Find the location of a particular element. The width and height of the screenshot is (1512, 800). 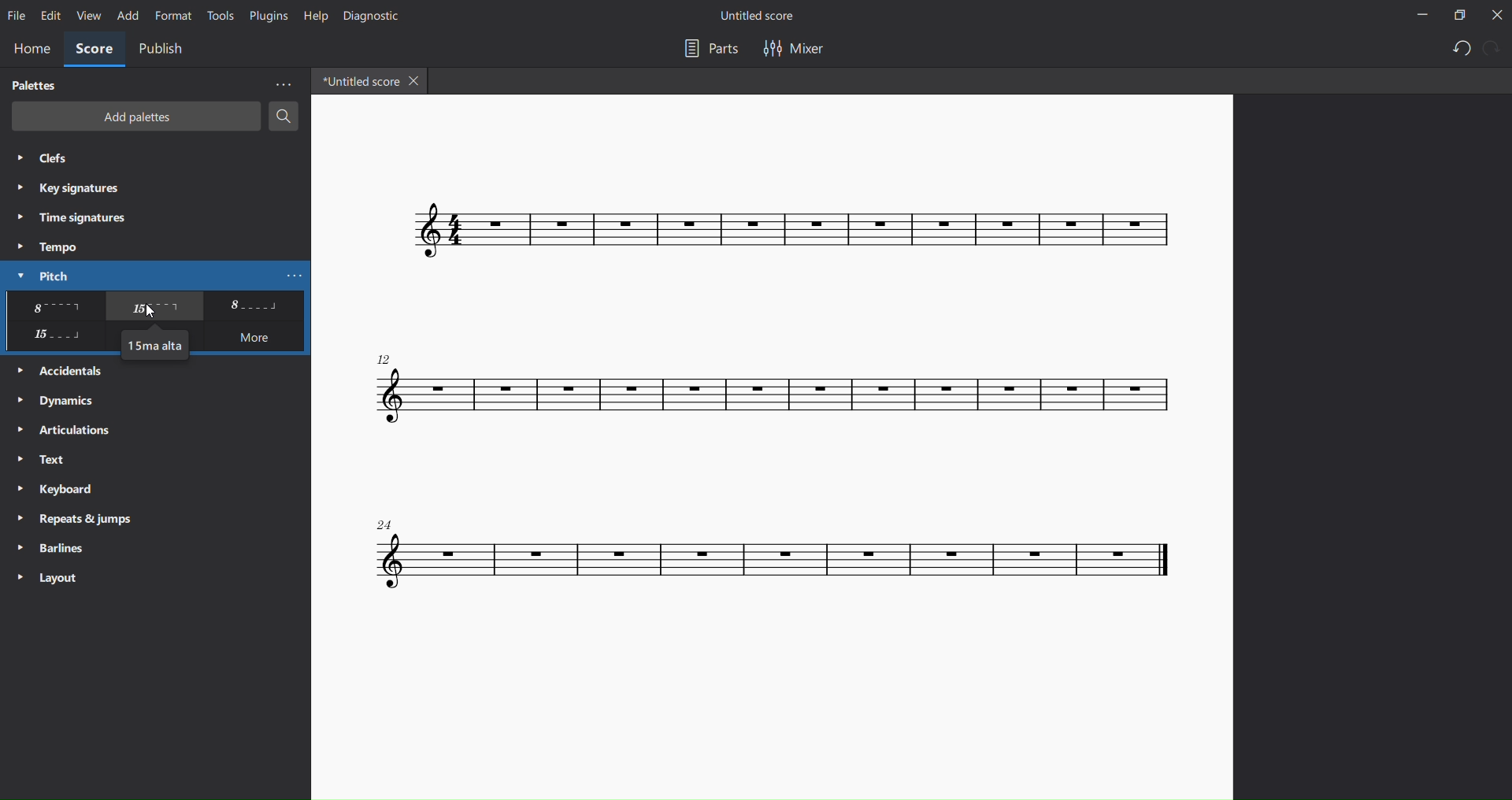

add is located at coordinates (124, 15).